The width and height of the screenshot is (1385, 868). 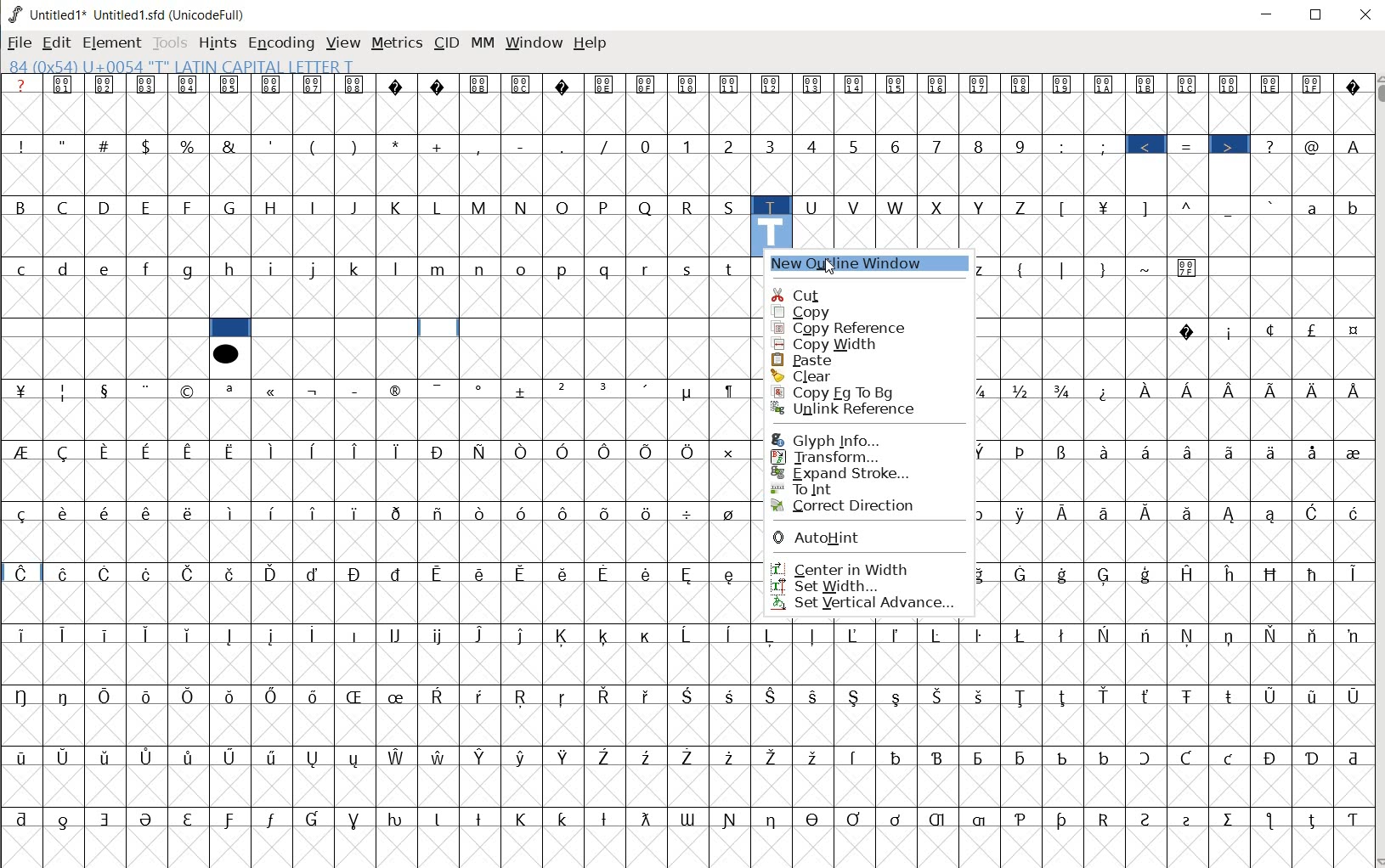 What do you see at coordinates (936, 145) in the screenshot?
I see `7` at bounding box center [936, 145].